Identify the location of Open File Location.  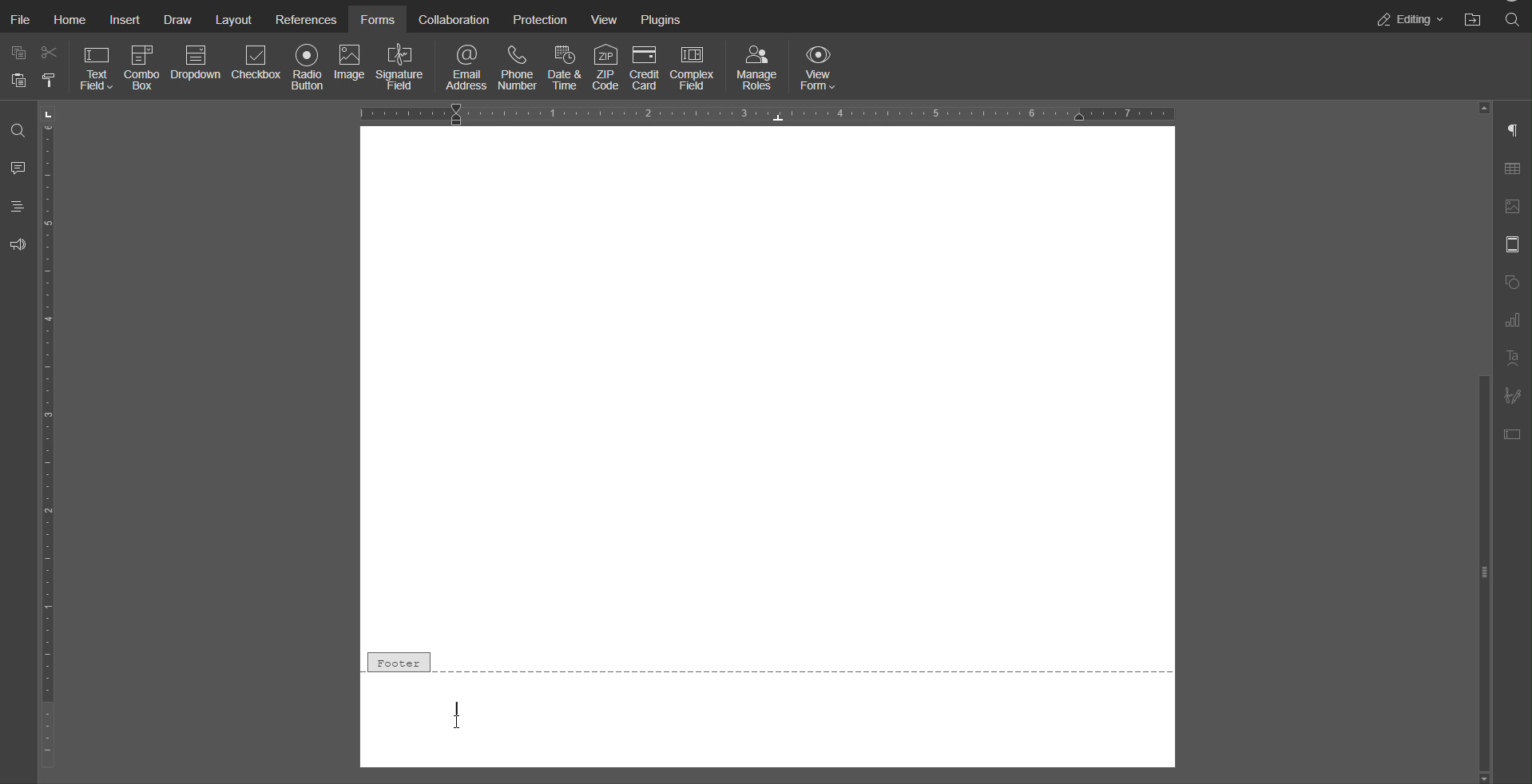
(1473, 20).